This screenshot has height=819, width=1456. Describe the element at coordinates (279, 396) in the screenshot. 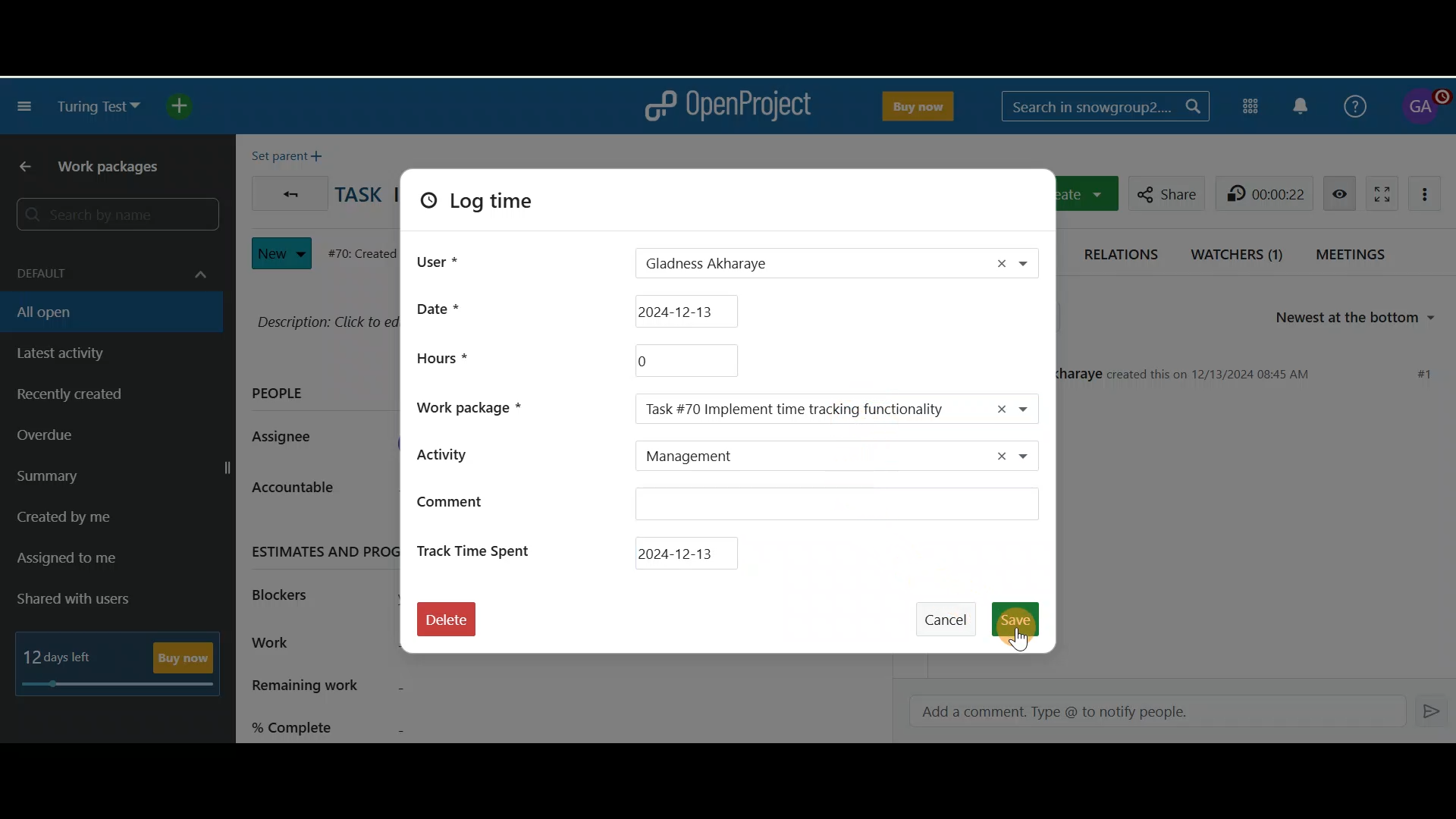

I see `PEOPLE` at that location.